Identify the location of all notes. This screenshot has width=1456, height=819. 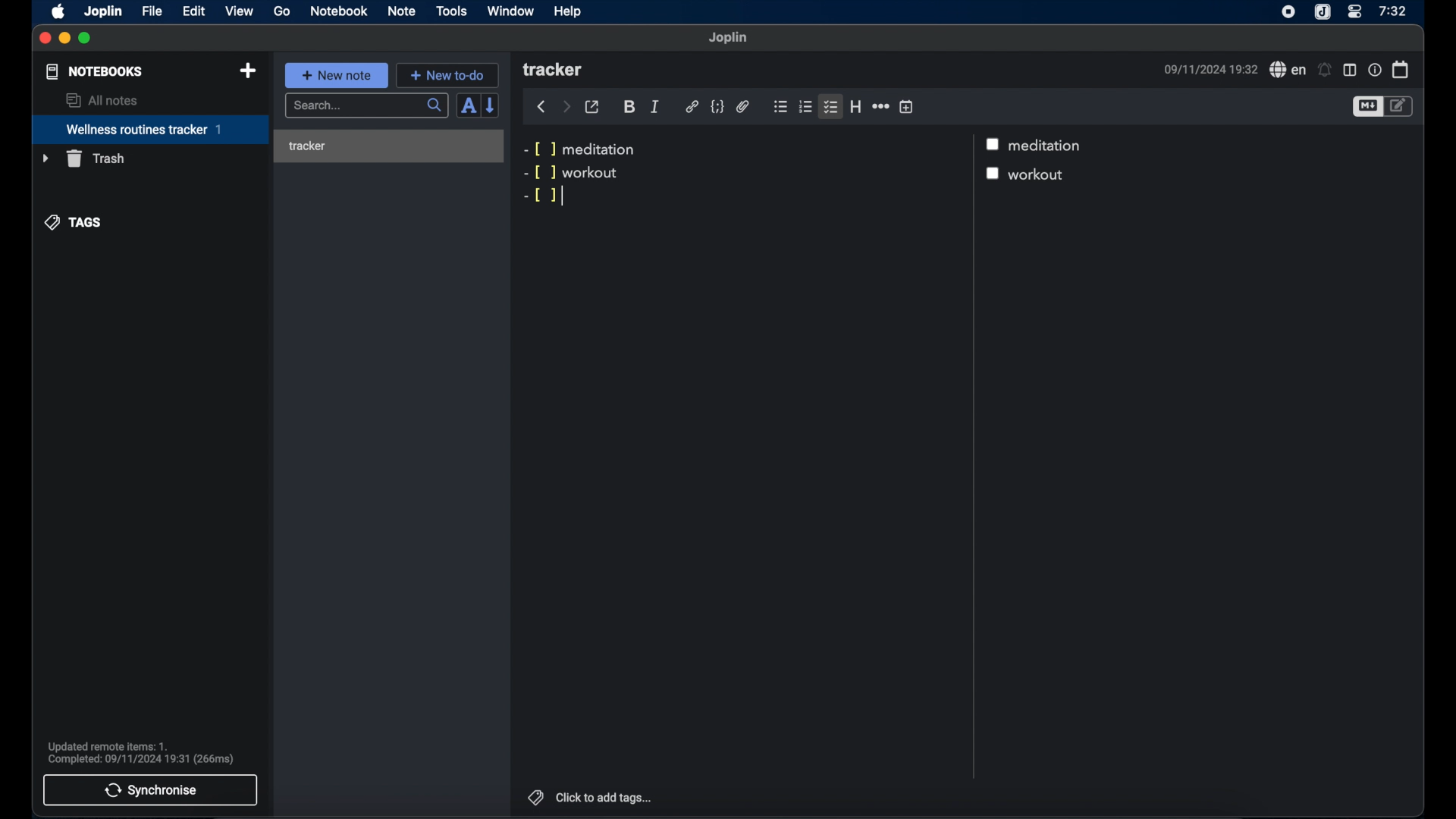
(101, 100).